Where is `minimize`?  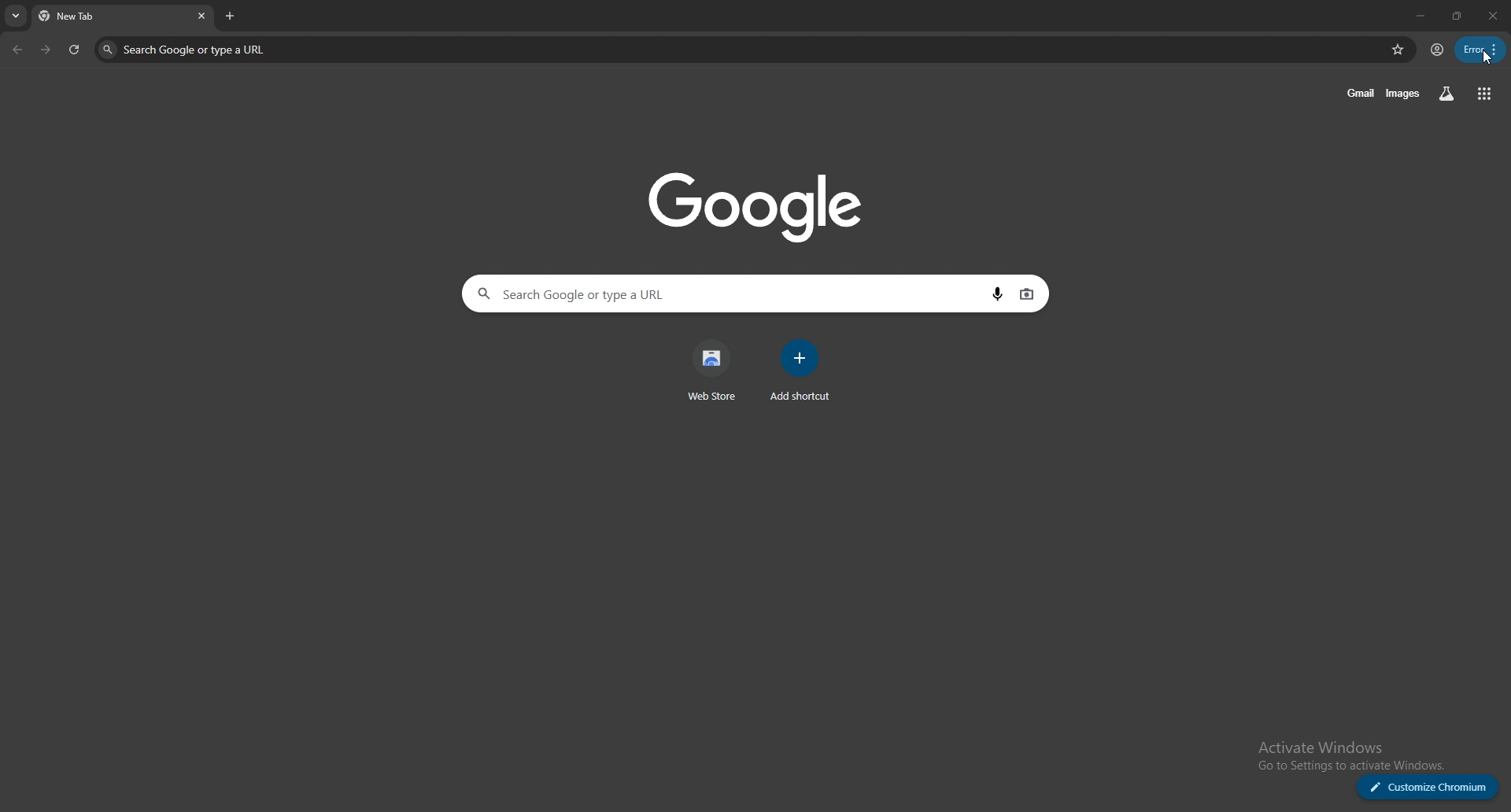
minimize is located at coordinates (1417, 16).